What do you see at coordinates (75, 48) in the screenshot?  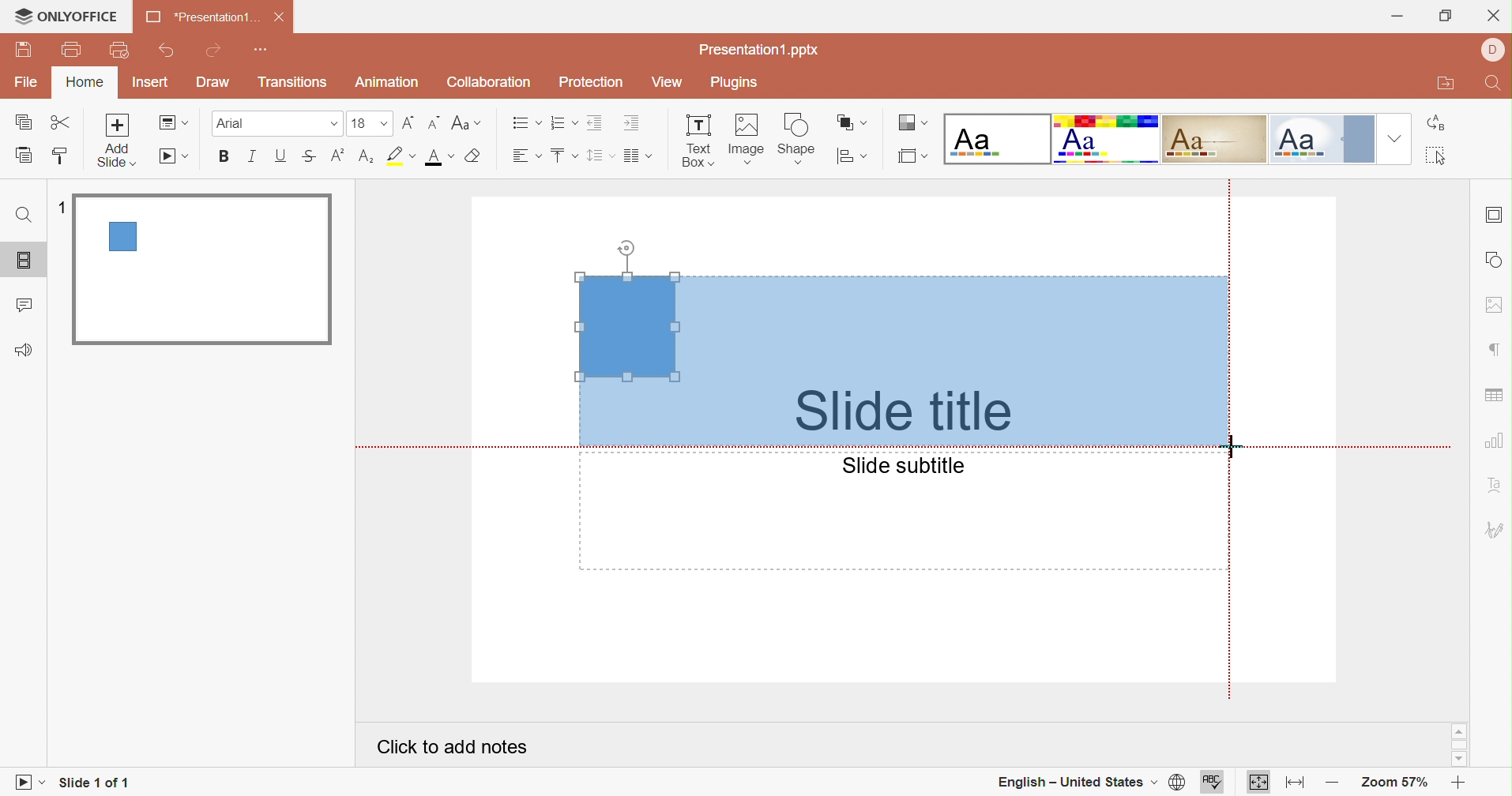 I see `Print file` at bounding box center [75, 48].